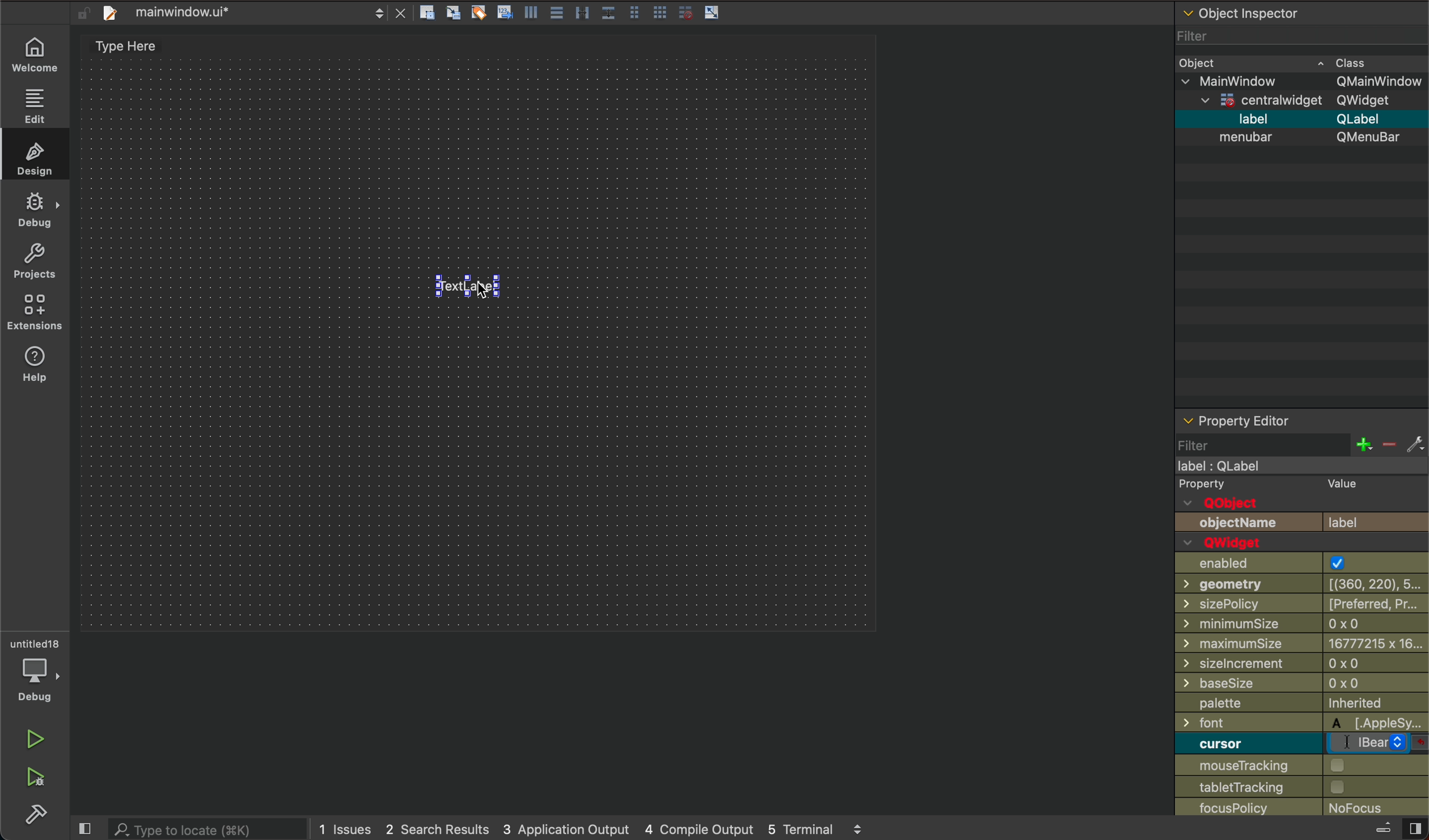 The image size is (1429, 840). I want to click on 3 application output, so click(564, 826).